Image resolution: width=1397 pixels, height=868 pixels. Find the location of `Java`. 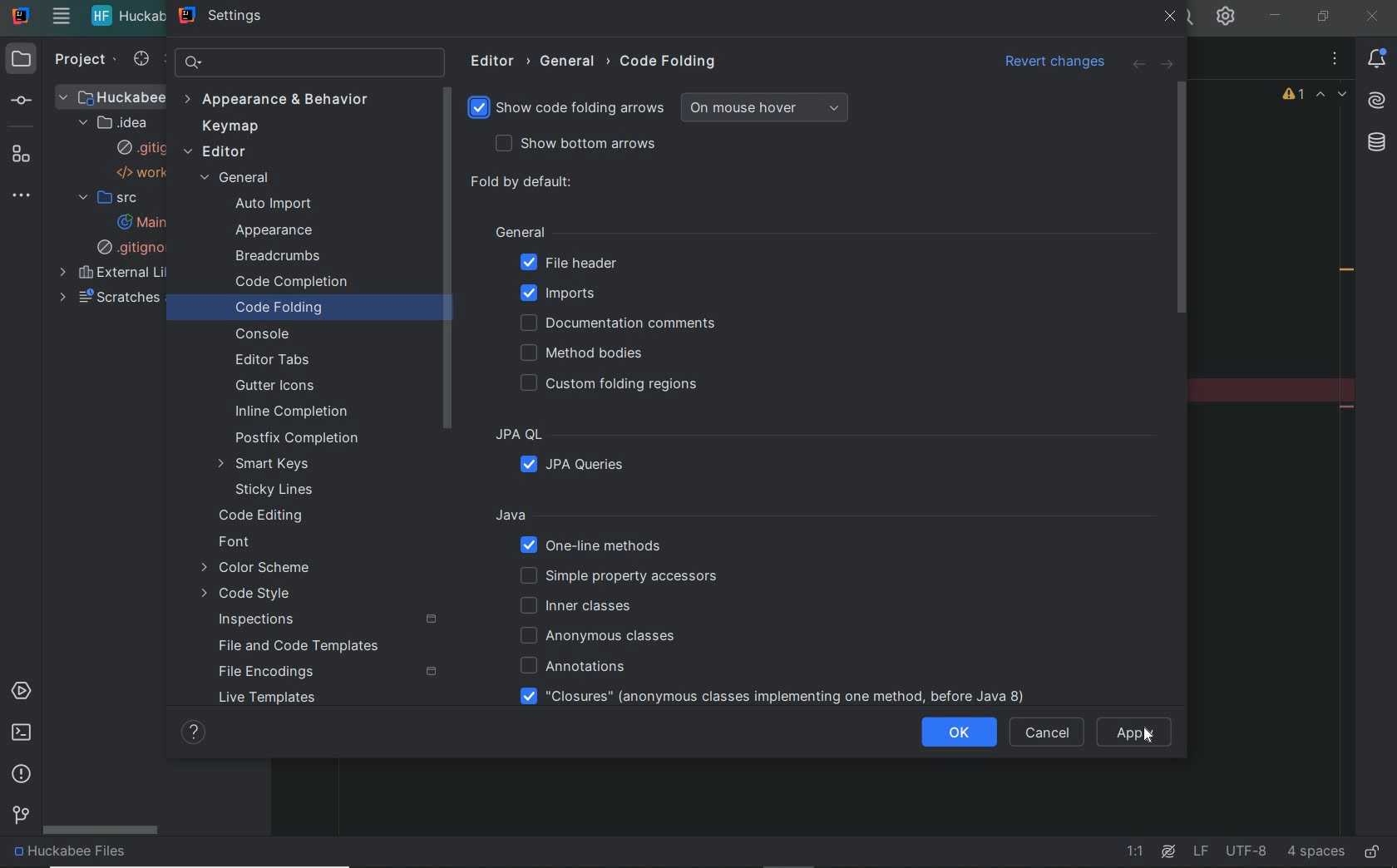

Java is located at coordinates (781, 516).